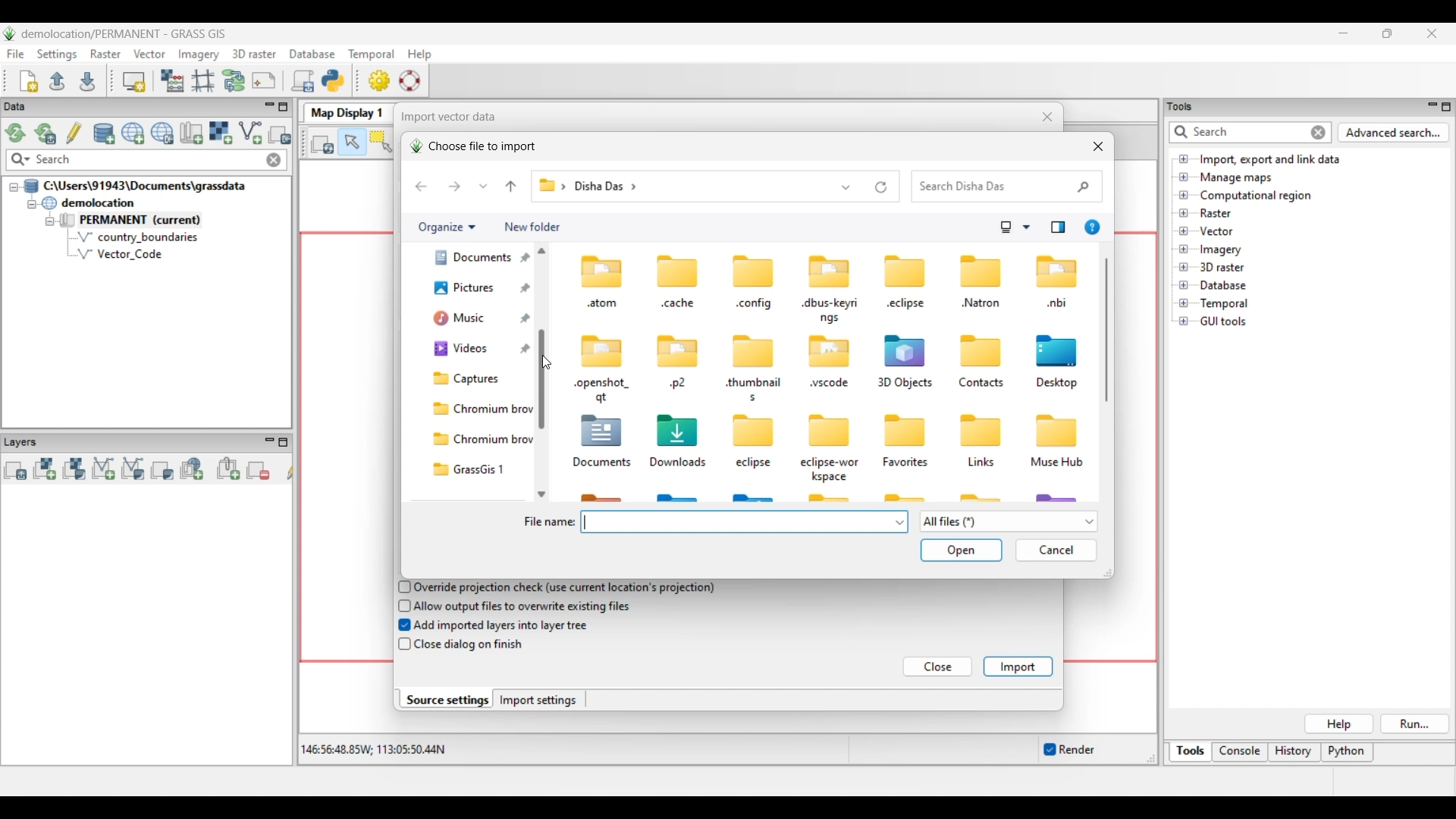 The height and width of the screenshot is (819, 1456). What do you see at coordinates (254, 53) in the screenshot?
I see `3D raster menu` at bounding box center [254, 53].